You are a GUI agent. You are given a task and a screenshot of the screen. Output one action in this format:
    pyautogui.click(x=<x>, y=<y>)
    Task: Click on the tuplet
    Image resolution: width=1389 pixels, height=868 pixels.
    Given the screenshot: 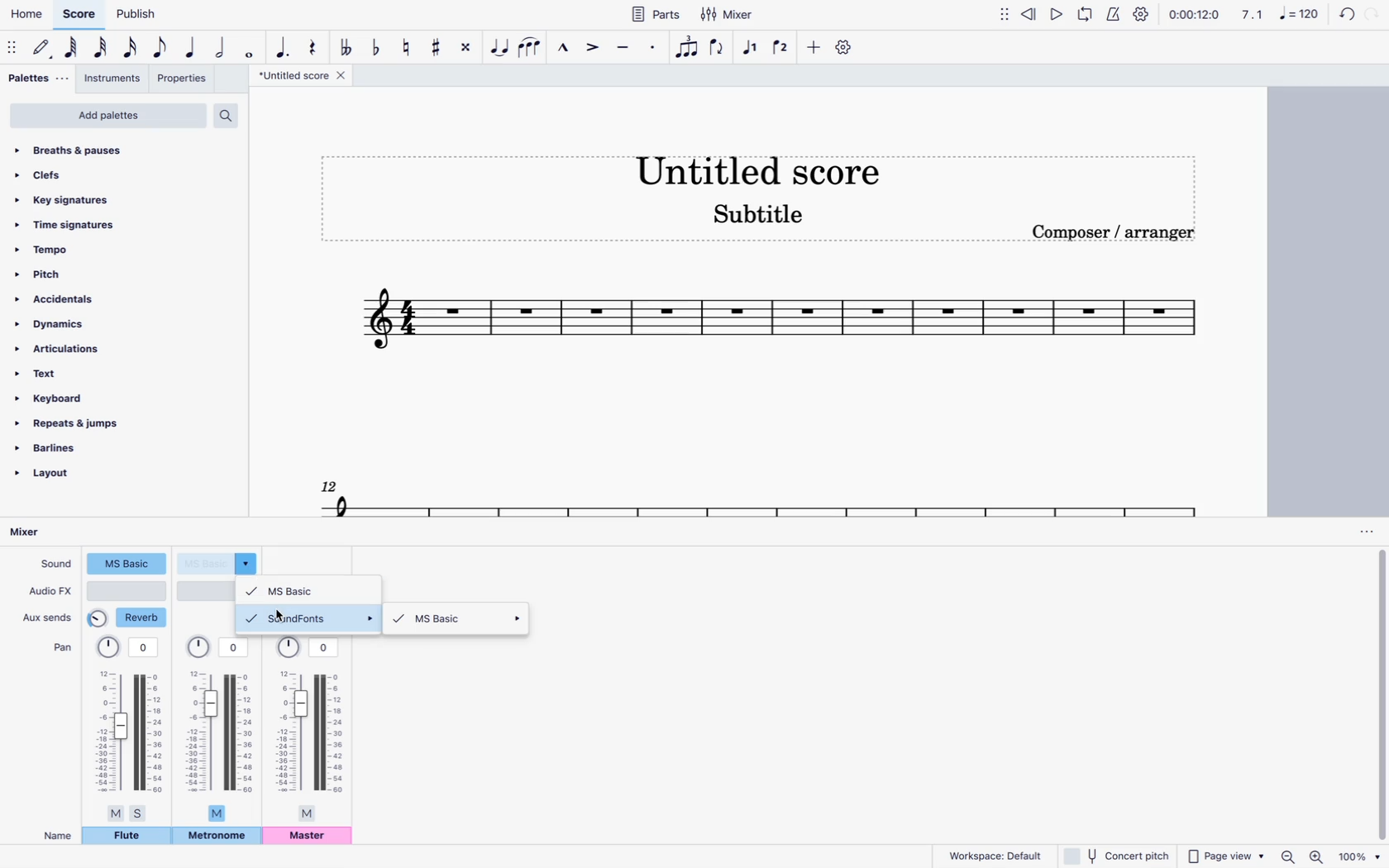 What is the action you would take?
    pyautogui.click(x=686, y=48)
    